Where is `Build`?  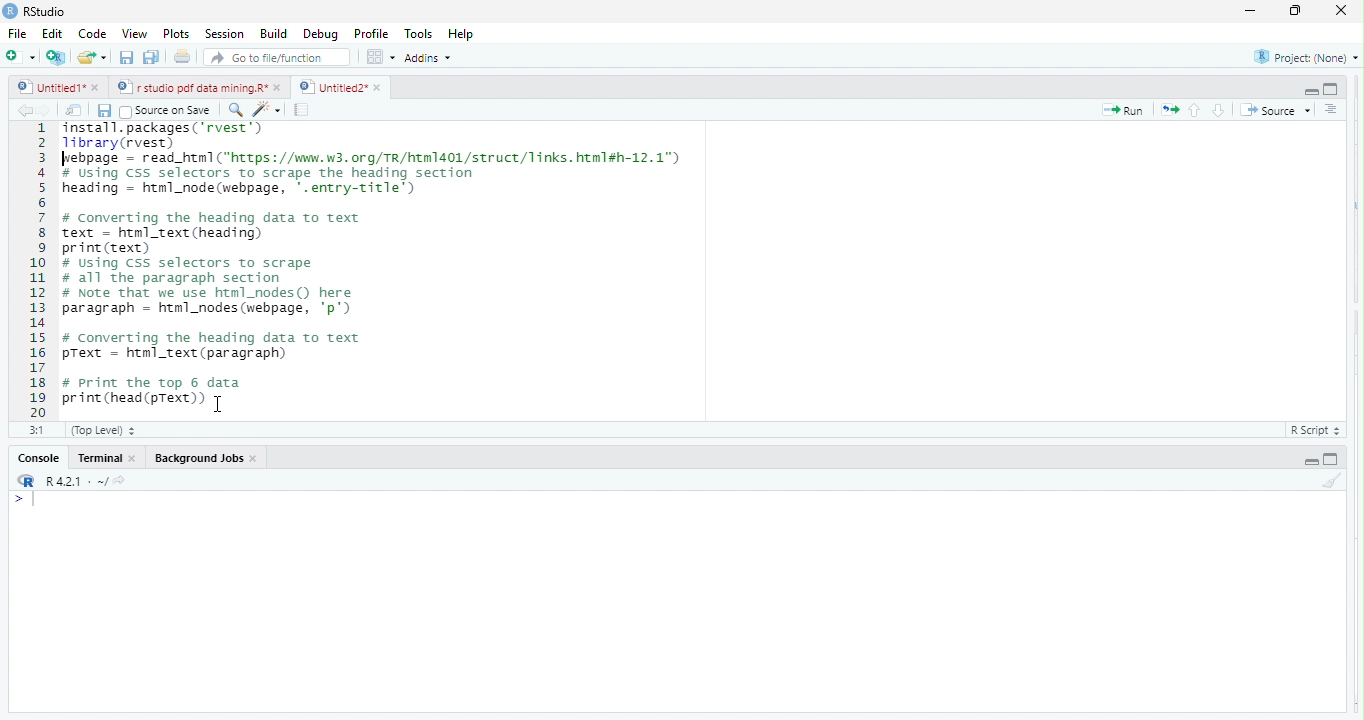
Build is located at coordinates (274, 34).